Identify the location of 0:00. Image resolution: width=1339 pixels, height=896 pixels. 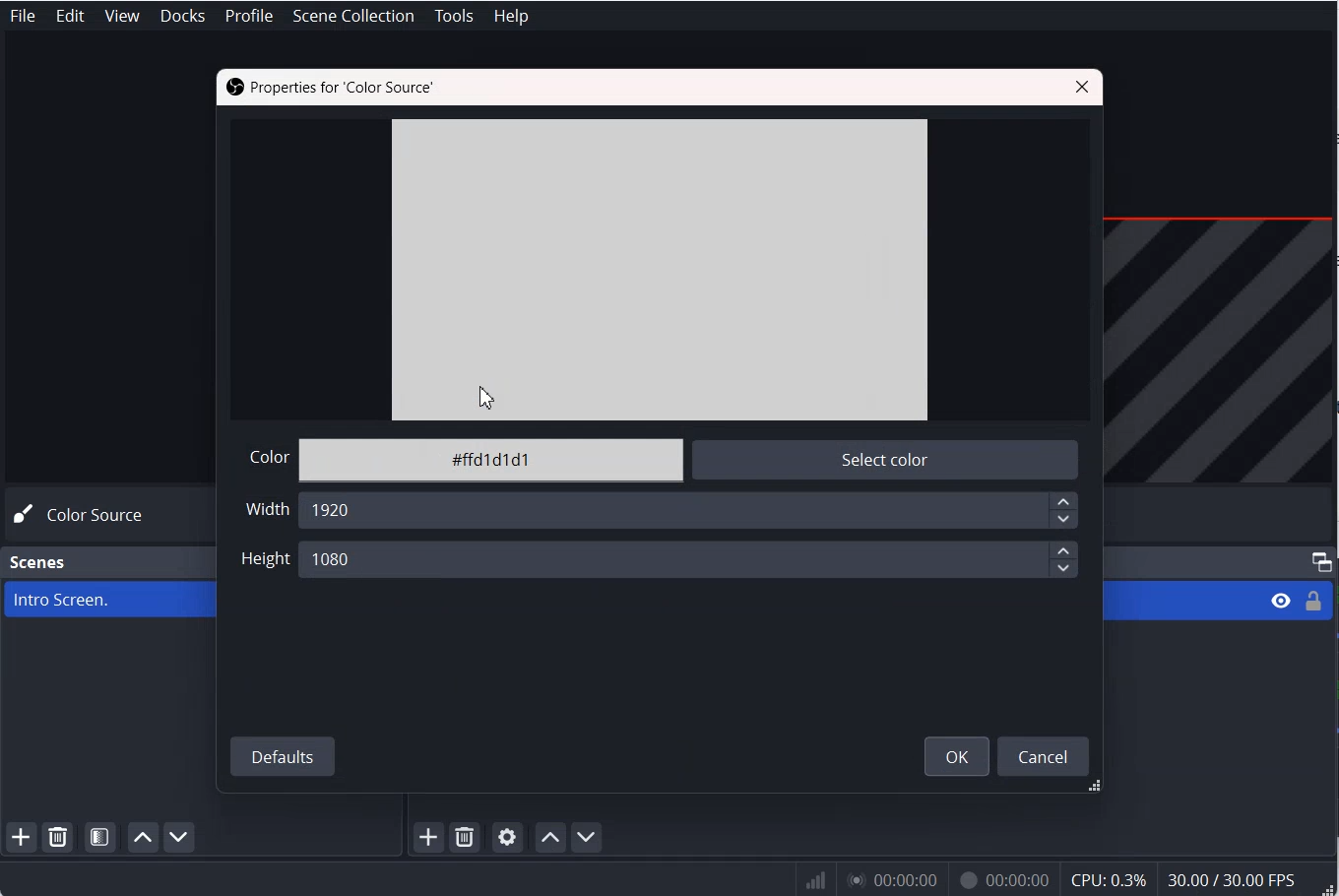
(890, 882).